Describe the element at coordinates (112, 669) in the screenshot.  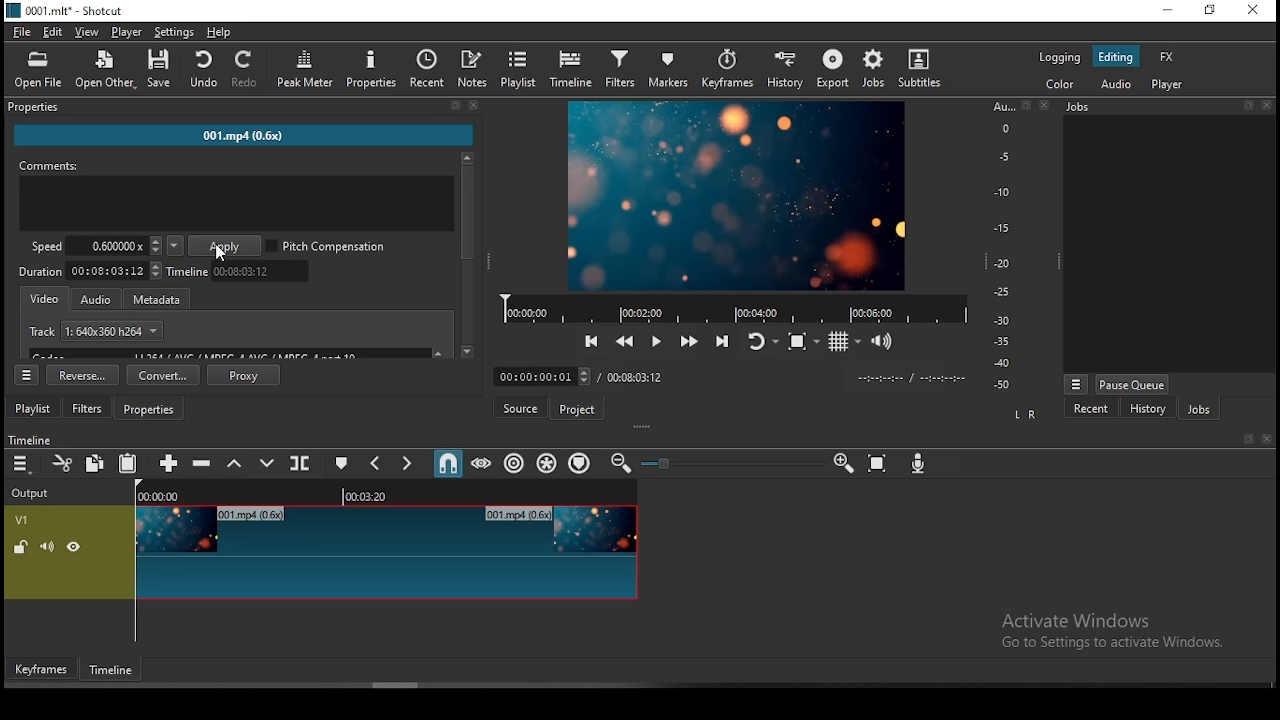
I see `timeframe` at that location.